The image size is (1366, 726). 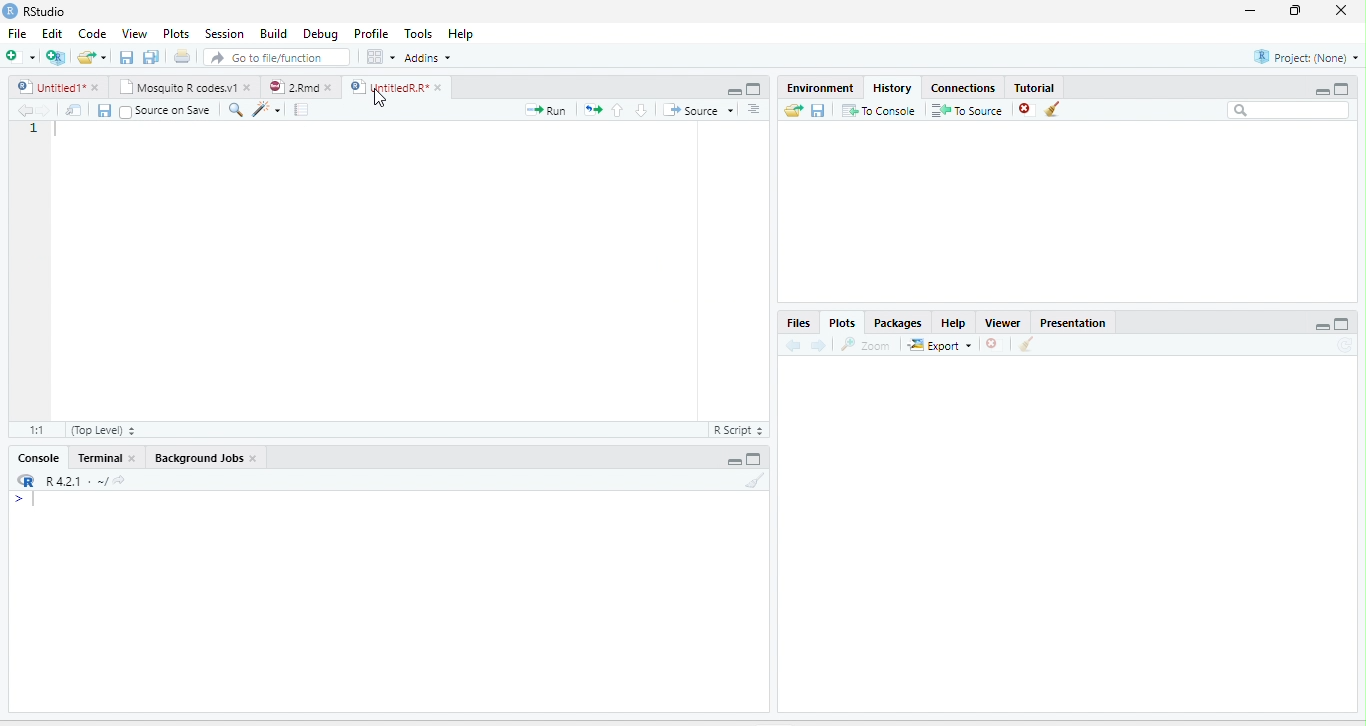 What do you see at coordinates (1288, 110) in the screenshot?
I see `Search bar` at bounding box center [1288, 110].